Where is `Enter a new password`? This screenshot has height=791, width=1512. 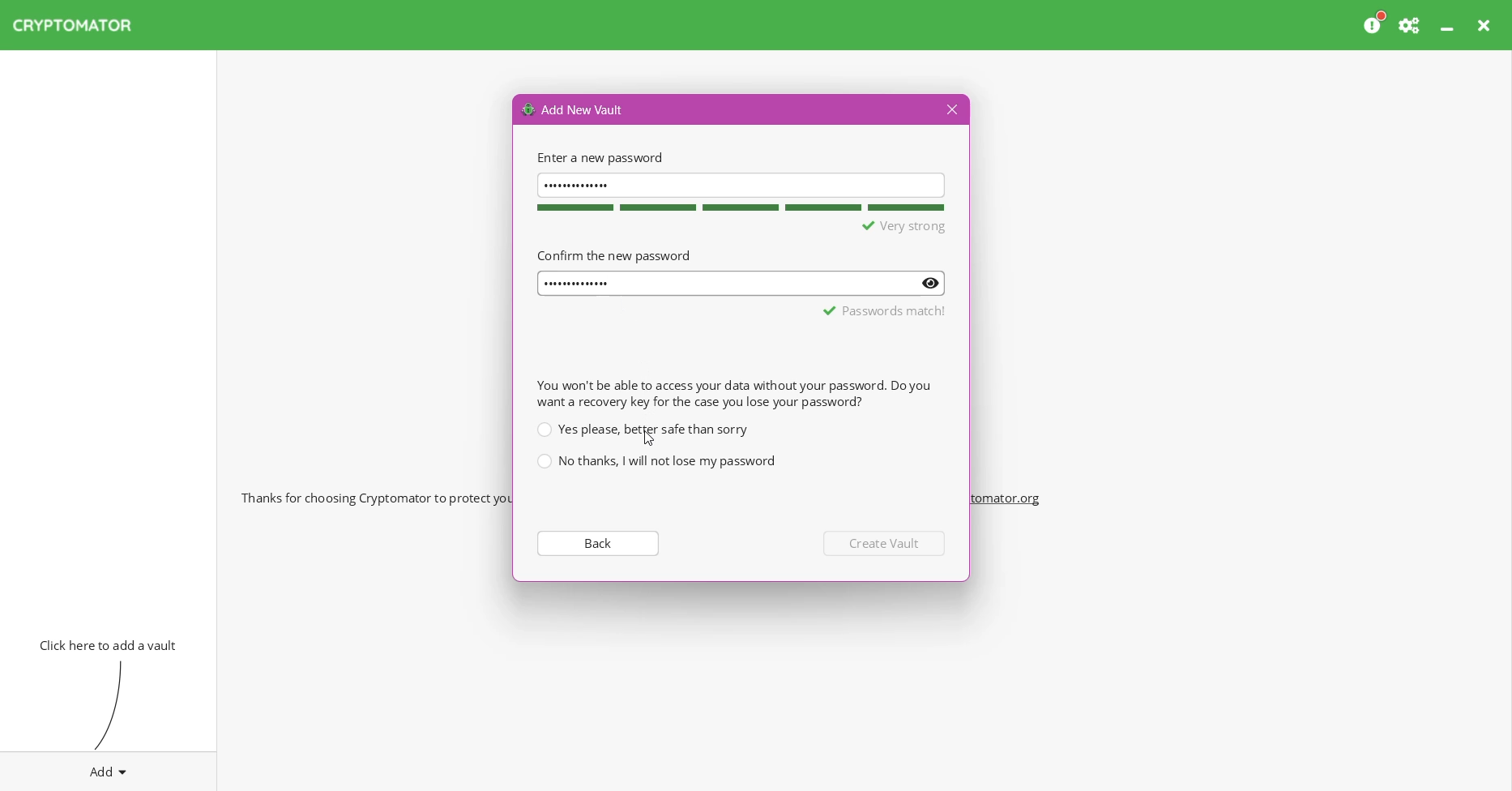 Enter a new password is located at coordinates (598, 157).